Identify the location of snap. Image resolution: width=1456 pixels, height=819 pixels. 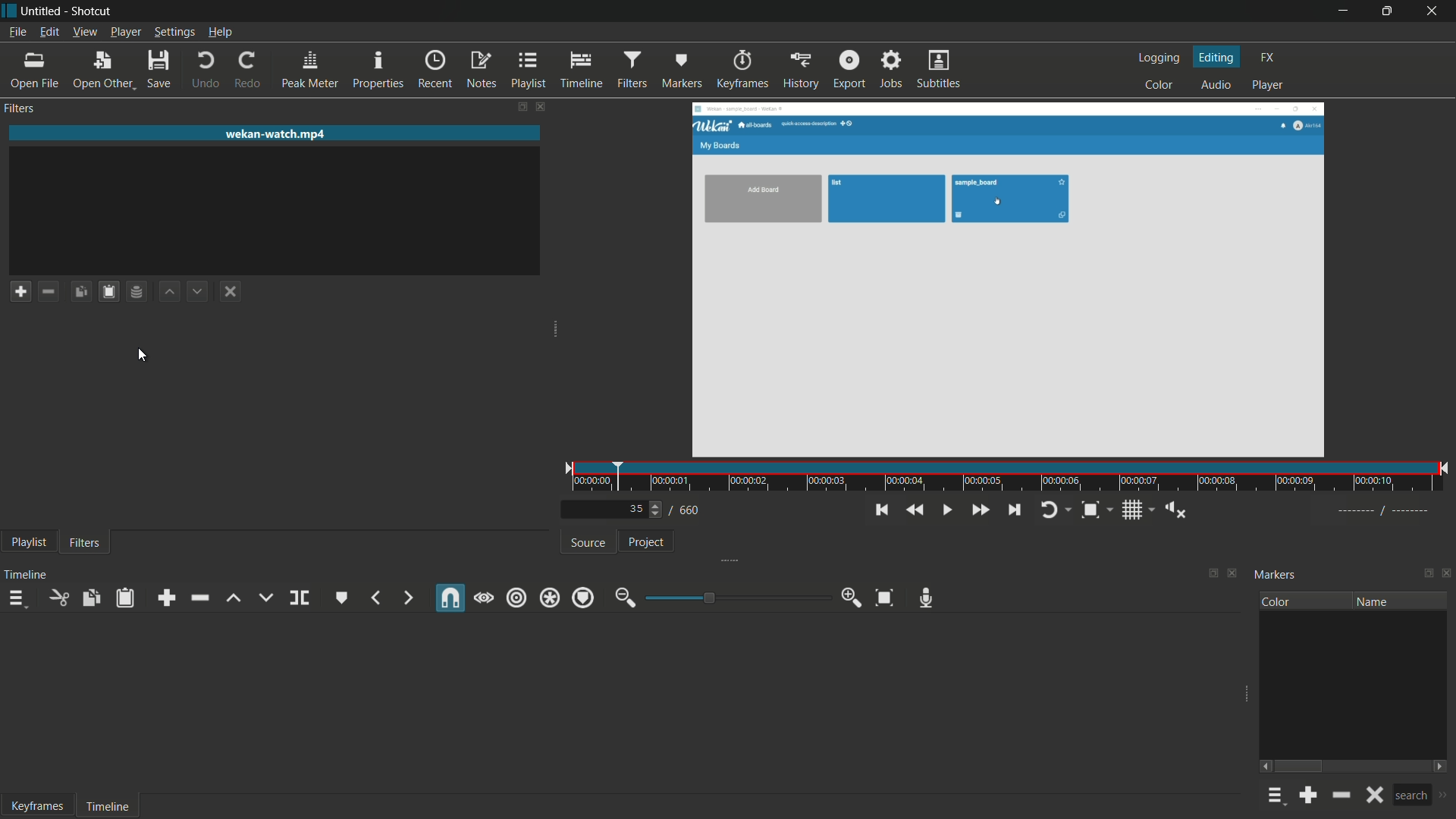
(449, 598).